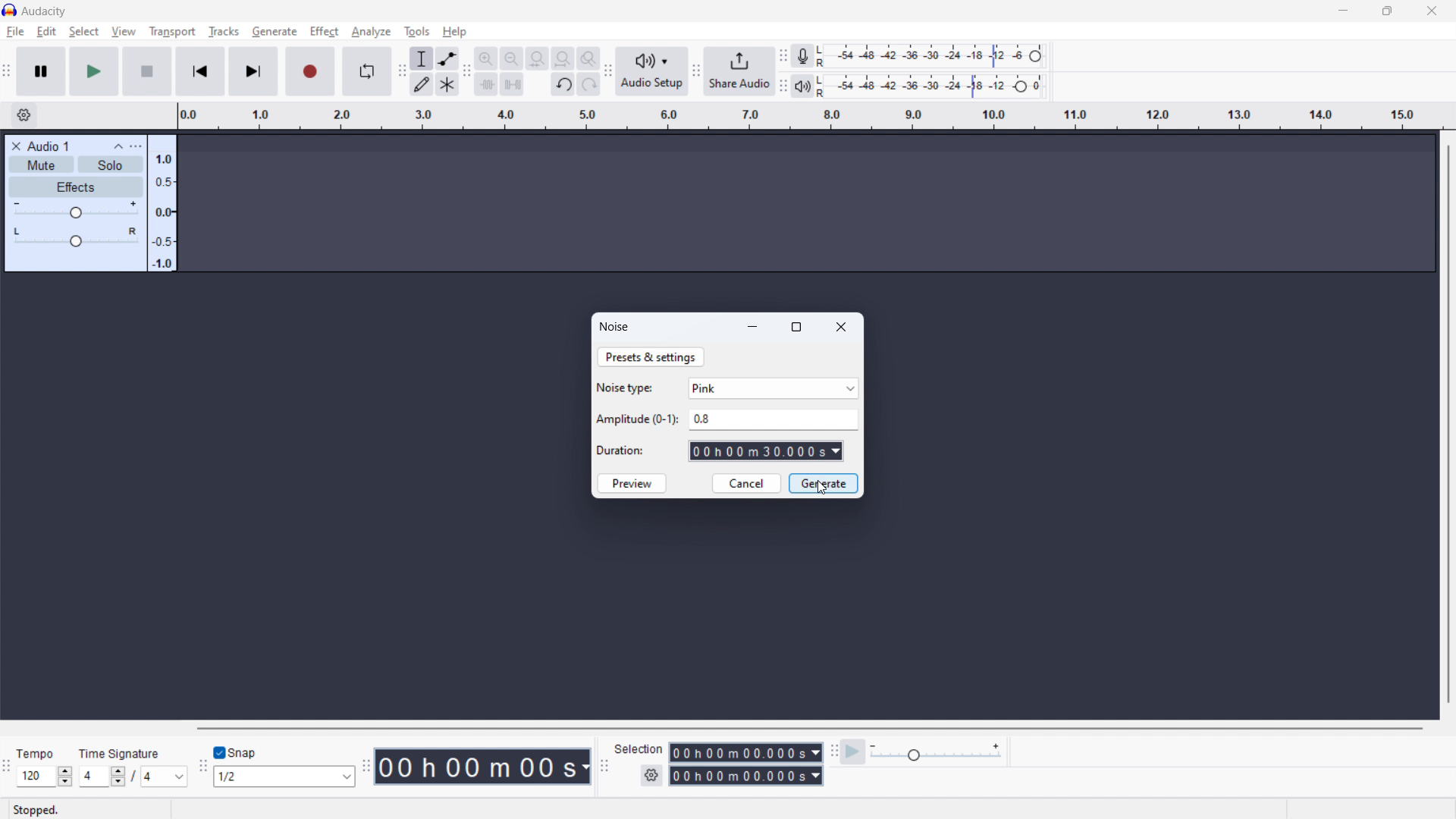 The width and height of the screenshot is (1456, 819). Describe the element at coordinates (46, 31) in the screenshot. I see `edit` at that location.